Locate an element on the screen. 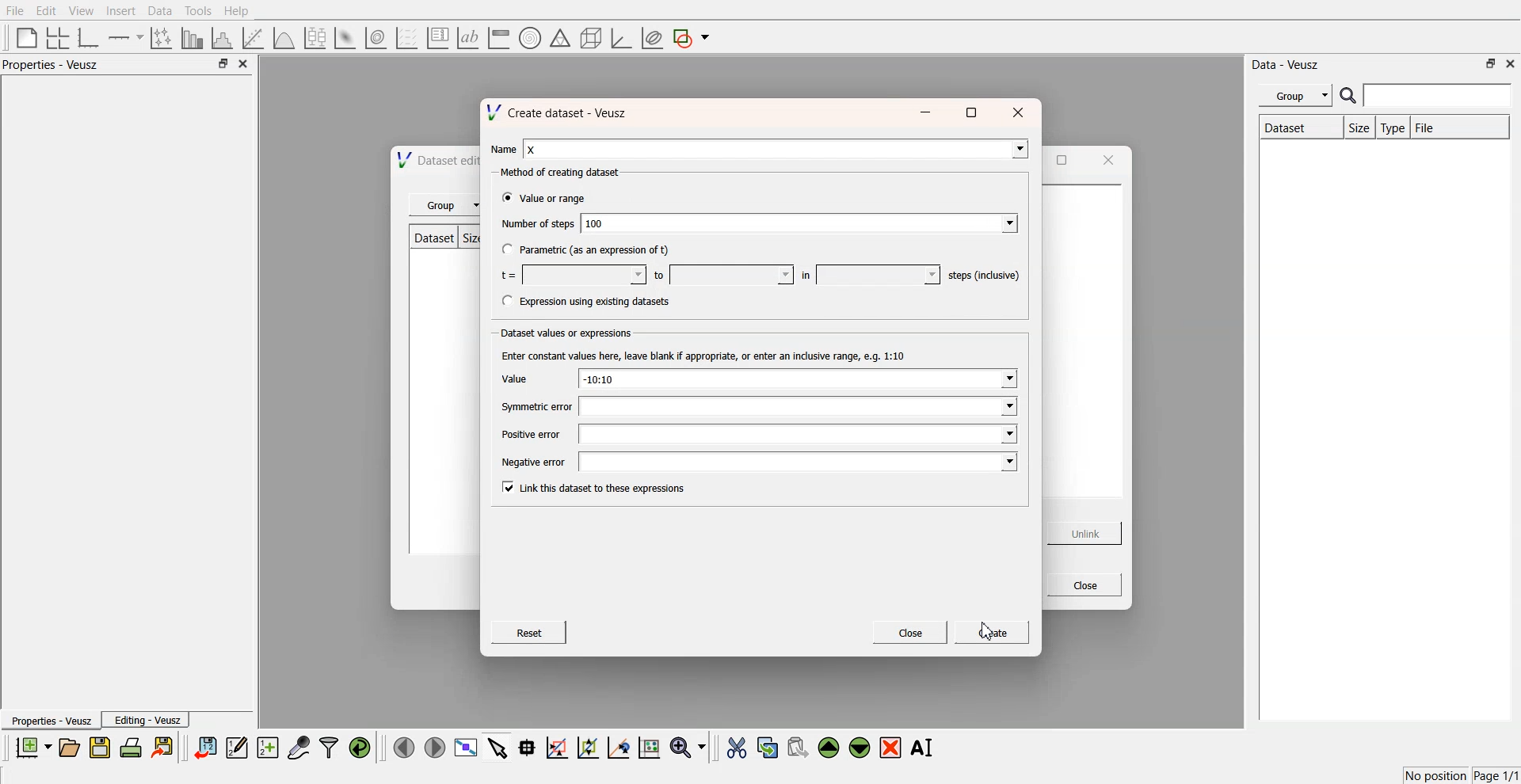  in is located at coordinates (806, 275).